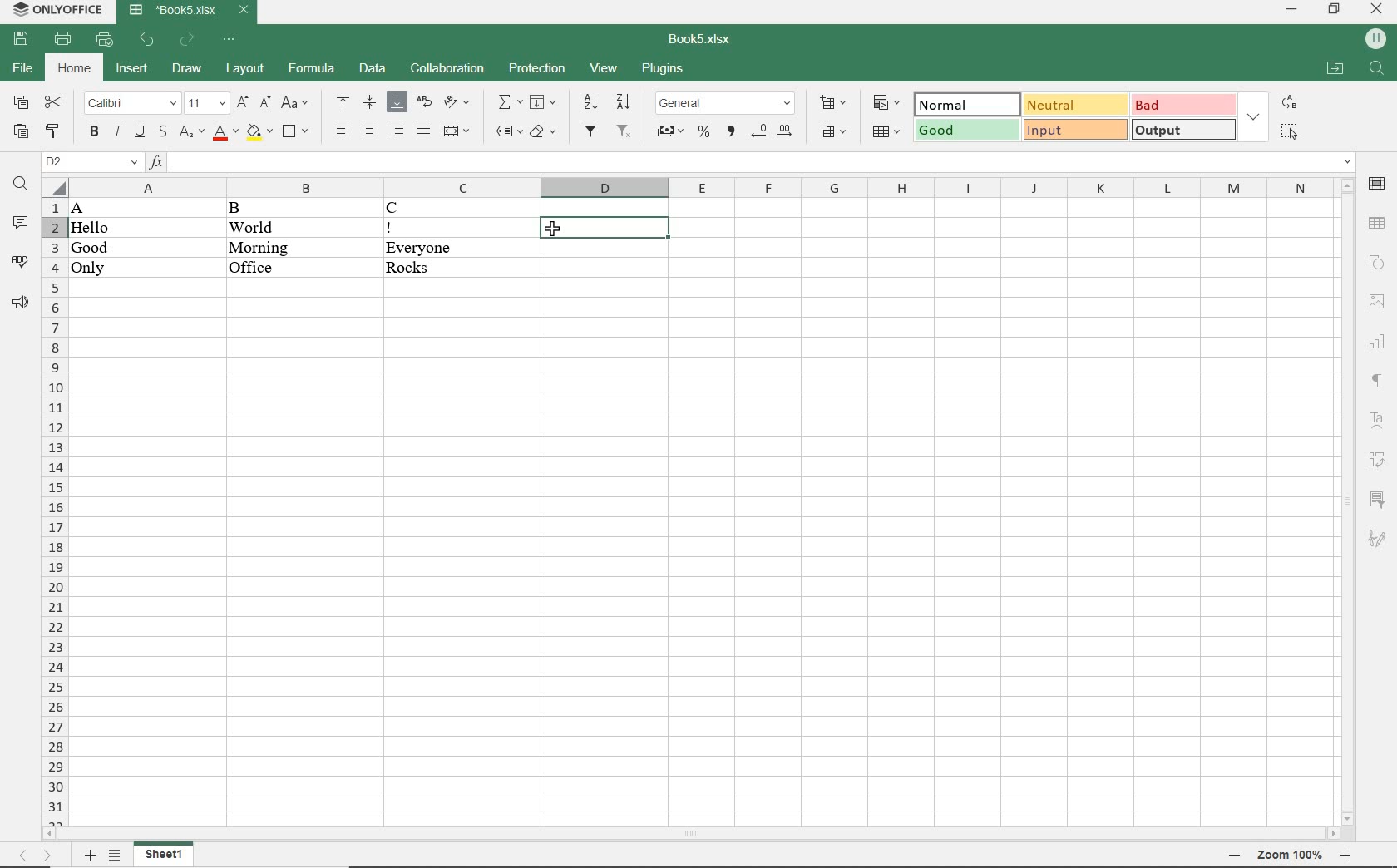  I want to click on collaboration, so click(446, 70).